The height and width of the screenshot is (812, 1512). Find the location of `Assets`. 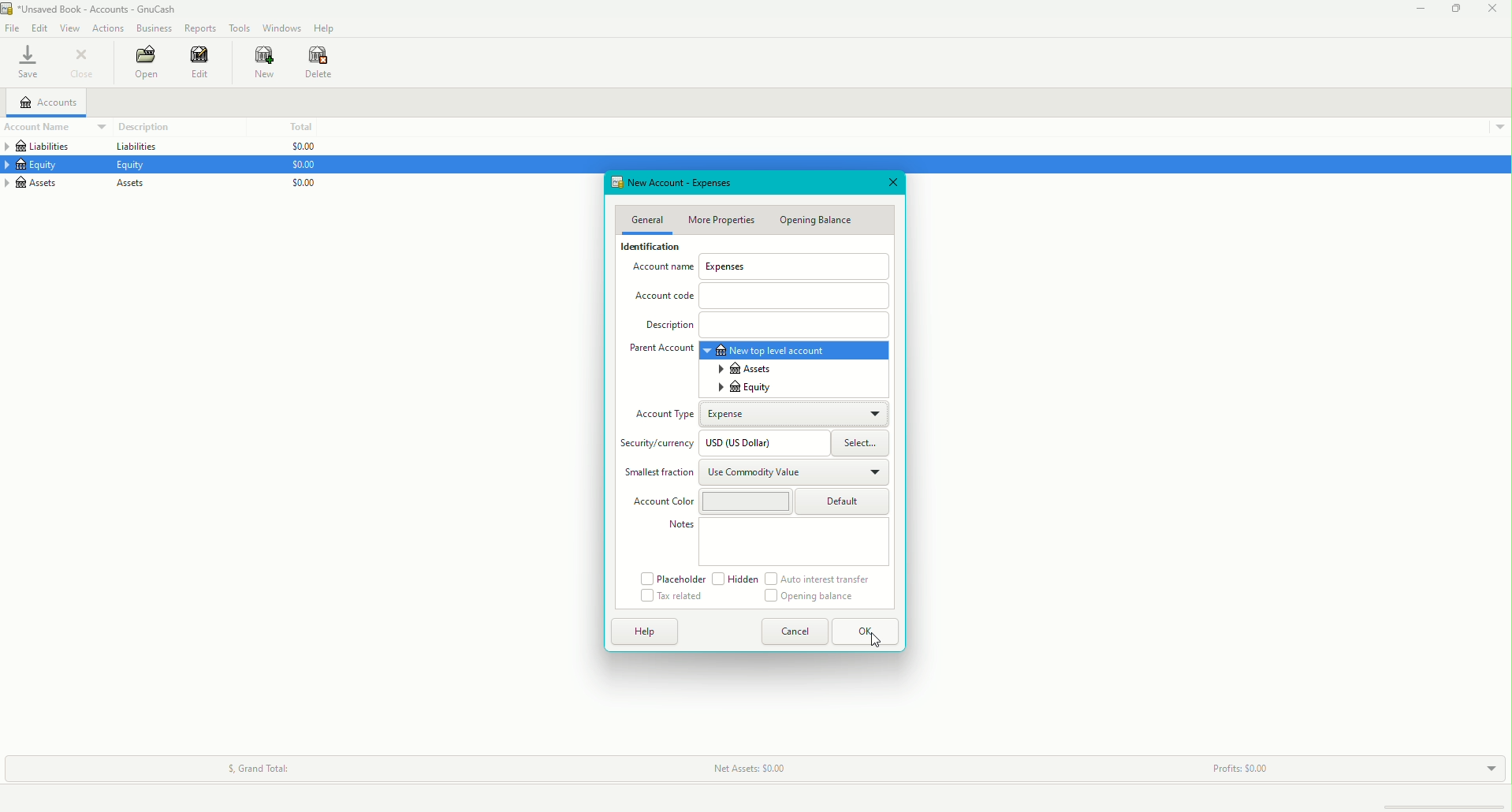

Assets is located at coordinates (744, 371).